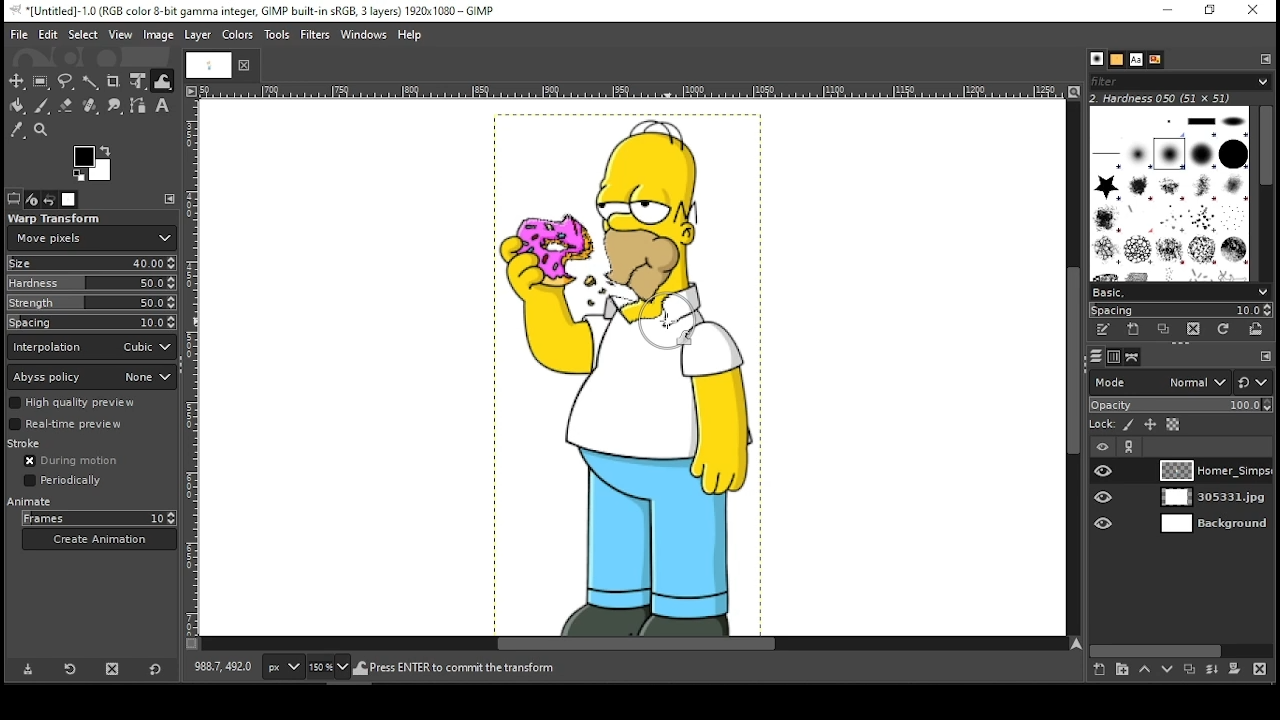  What do you see at coordinates (68, 103) in the screenshot?
I see `erase tool` at bounding box center [68, 103].